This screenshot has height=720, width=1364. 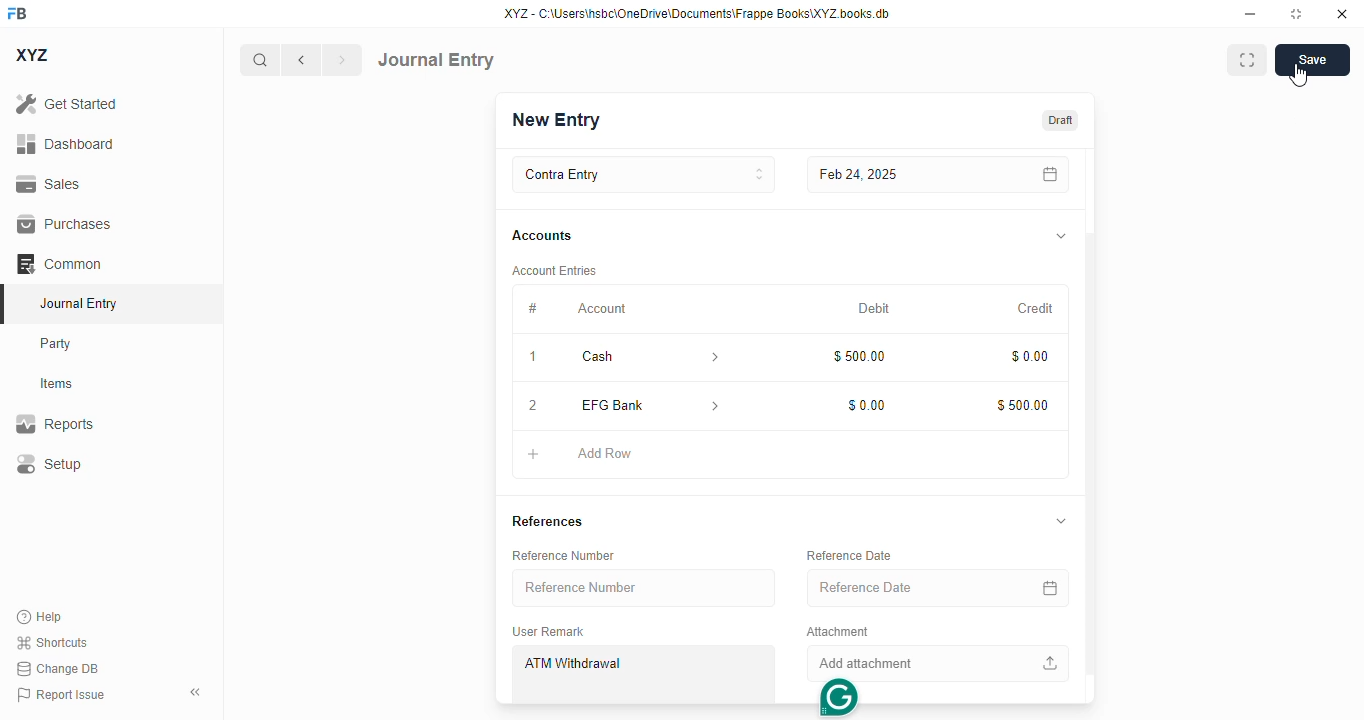 I want to click on account entries, so click(x=553, y=271).